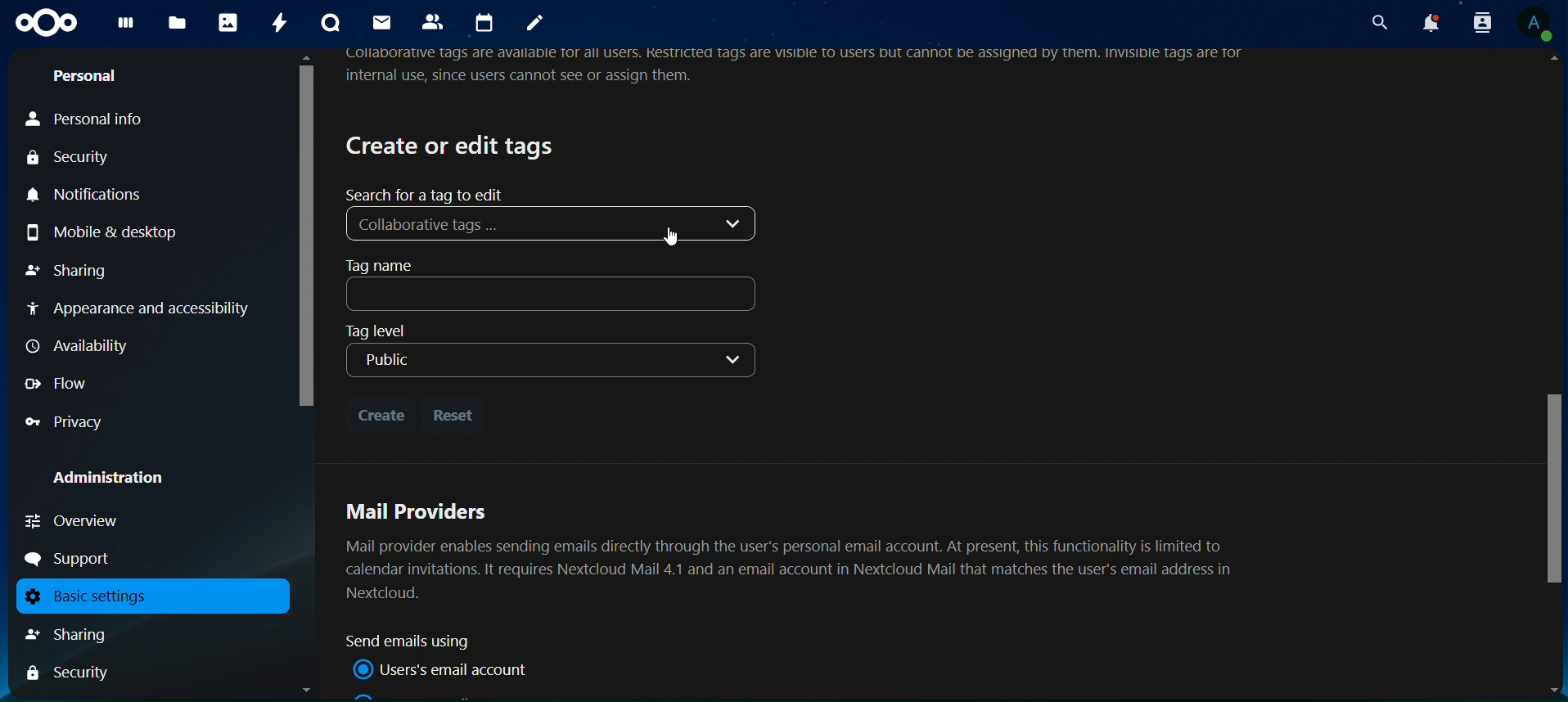 The image size is (1568, 702). What do you see at coordinates (69, 674) in the screenshot?
I see `Security` at bounding box center [69, 674].